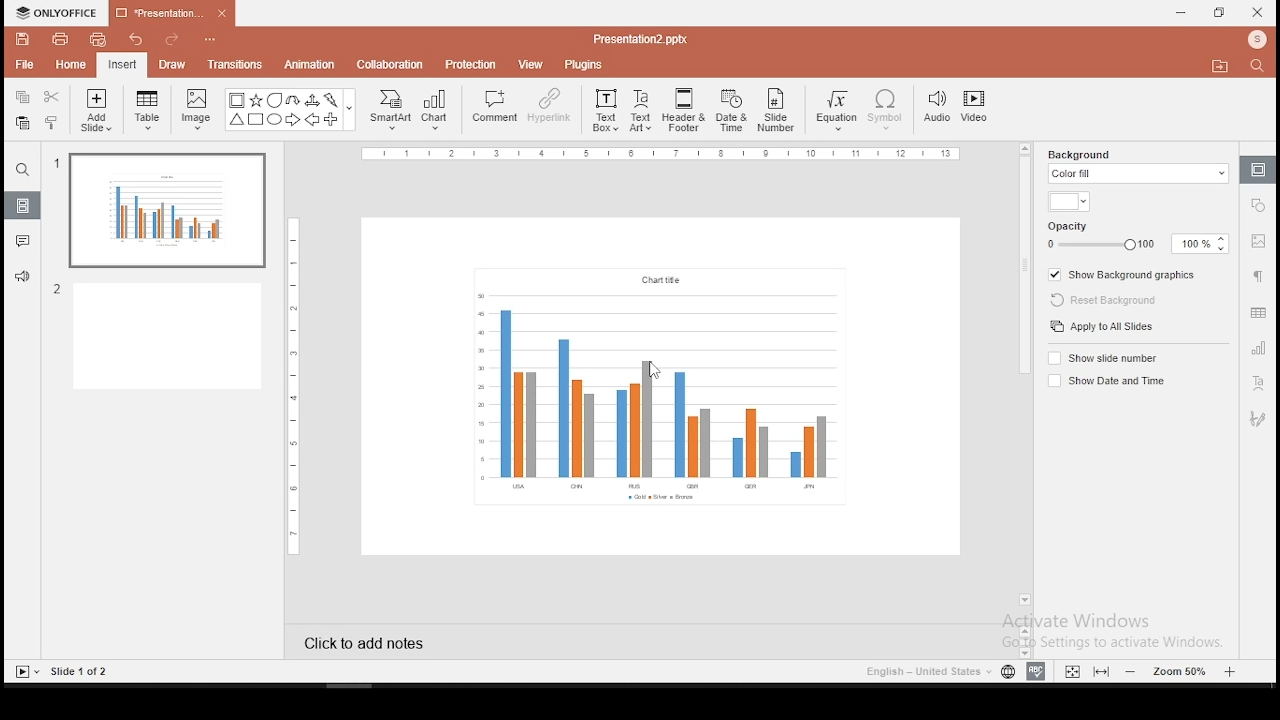 The image size is (1280, 720). Describe the element at coordinates (391, 65) in the screenshot. I see `collaboration` at that location.